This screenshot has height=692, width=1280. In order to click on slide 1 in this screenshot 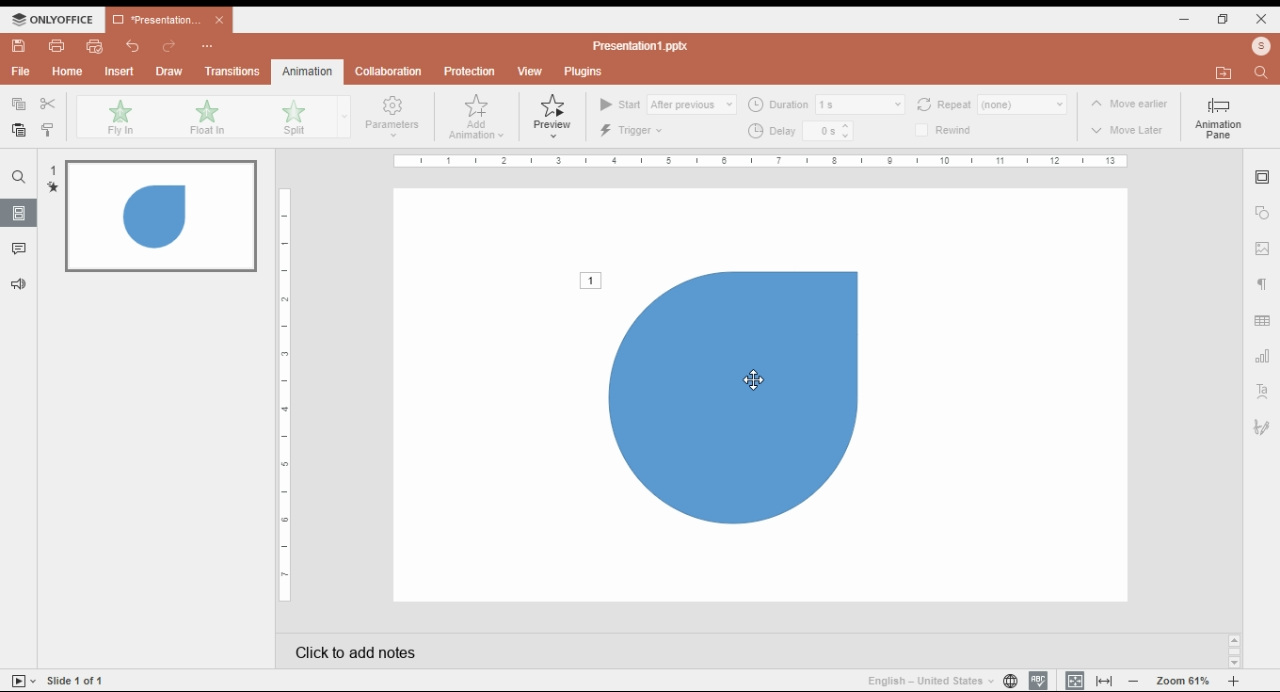, I will do `click(151, 217)`.